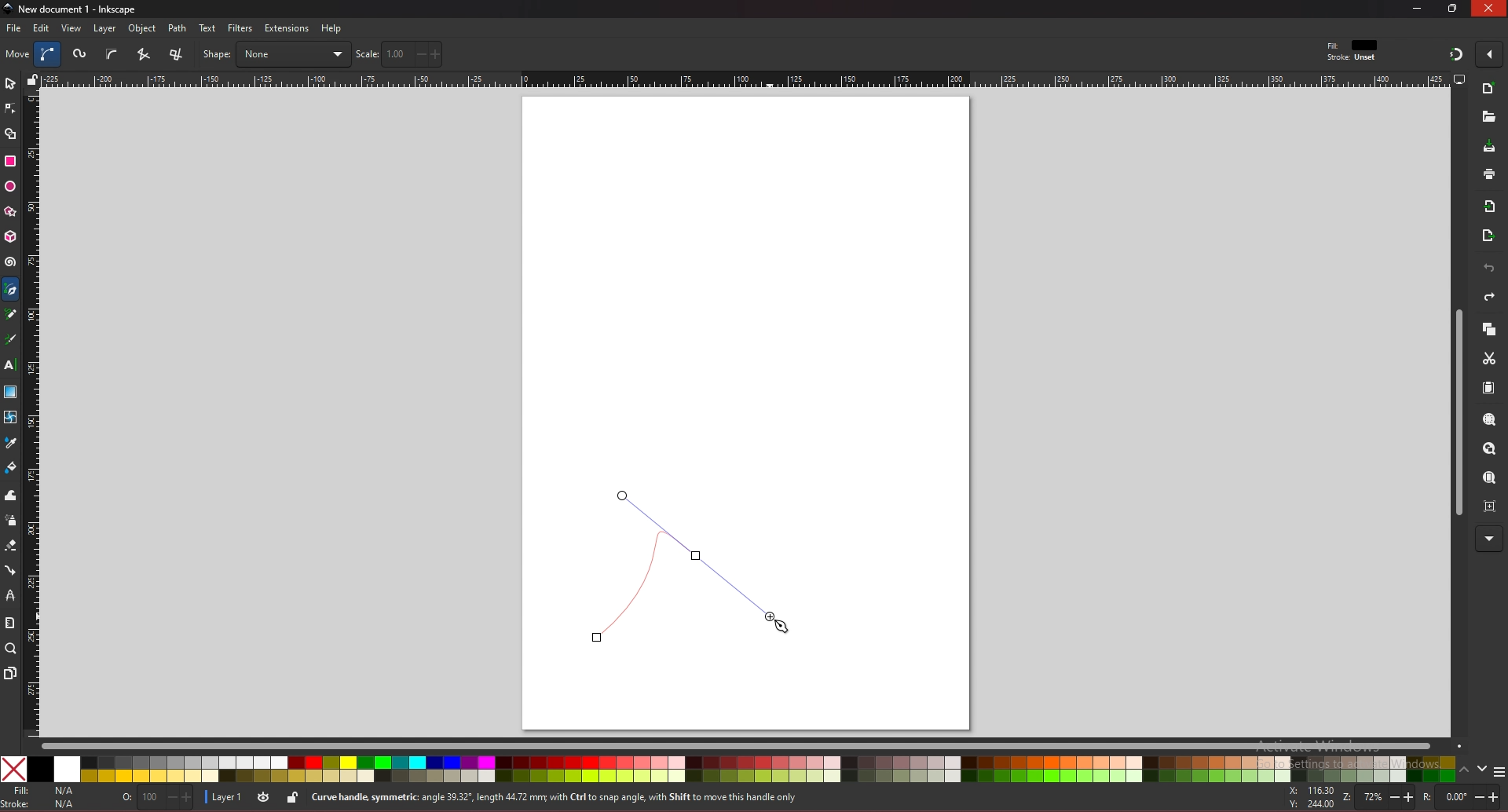  I want to click on text, so click(9, 365).